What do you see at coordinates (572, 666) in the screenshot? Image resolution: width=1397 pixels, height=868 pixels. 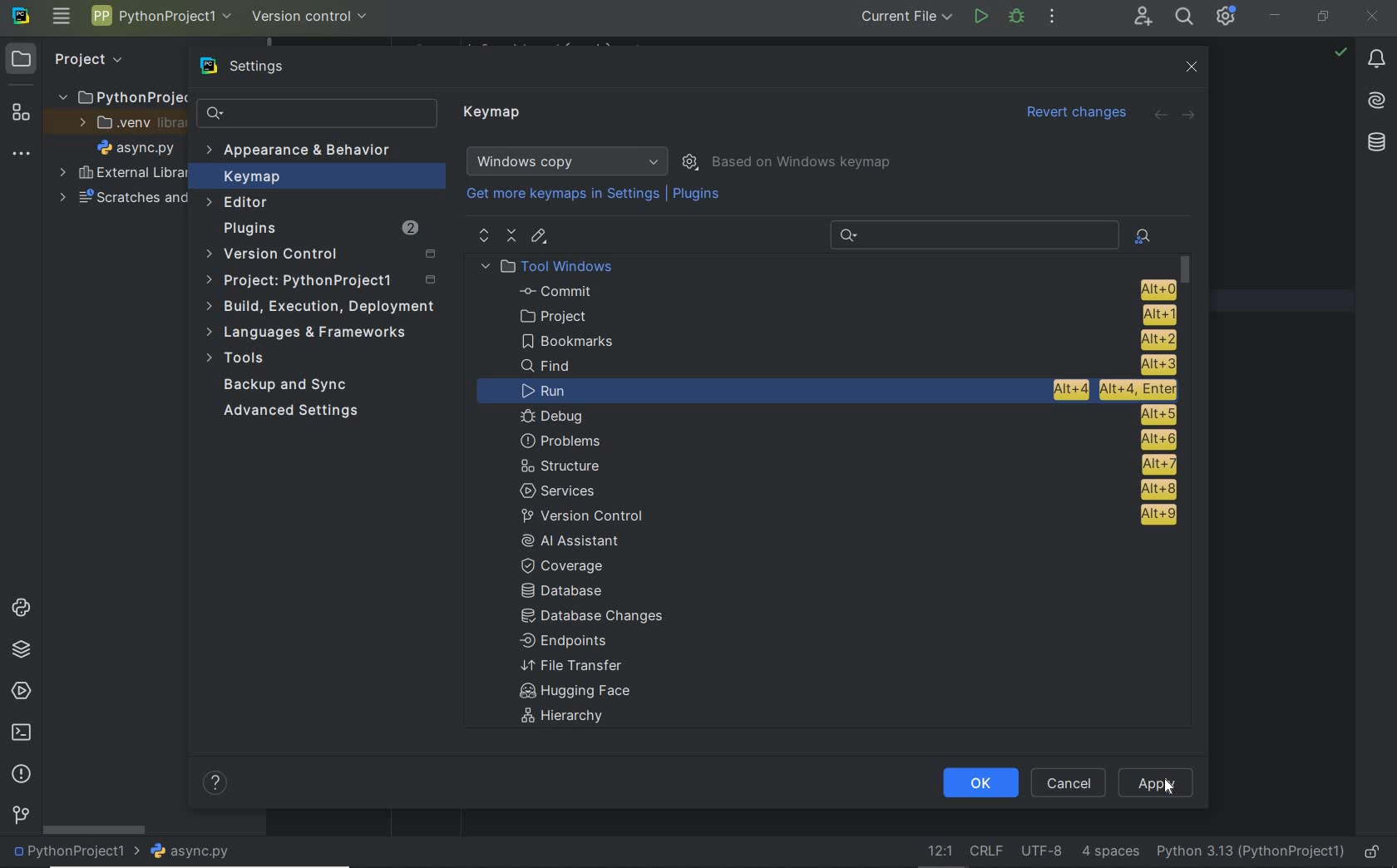 I see `File Transfer` at bounding box center [572, 666].